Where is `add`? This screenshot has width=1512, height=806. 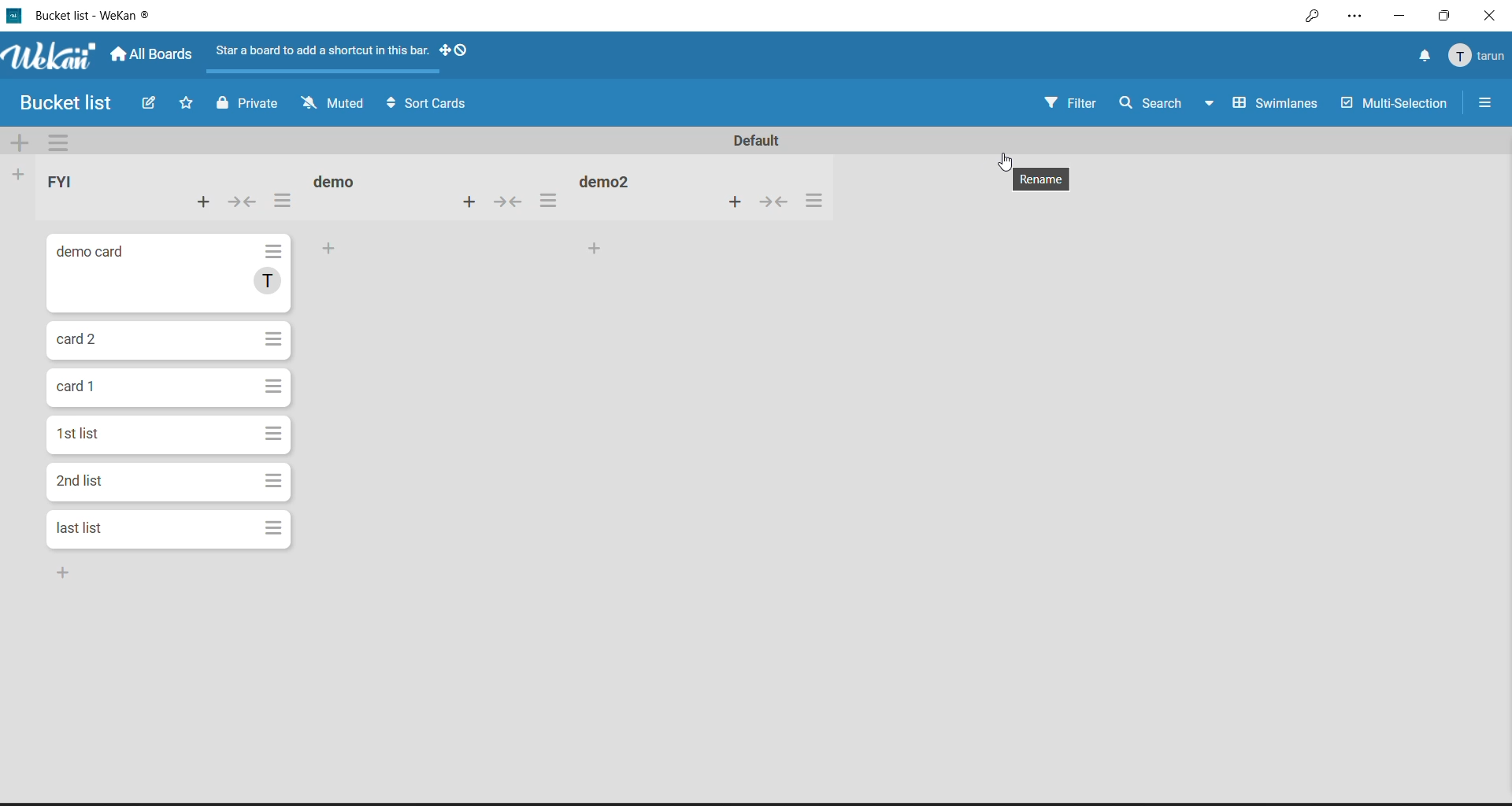 add is located at coordinates (596, 249).